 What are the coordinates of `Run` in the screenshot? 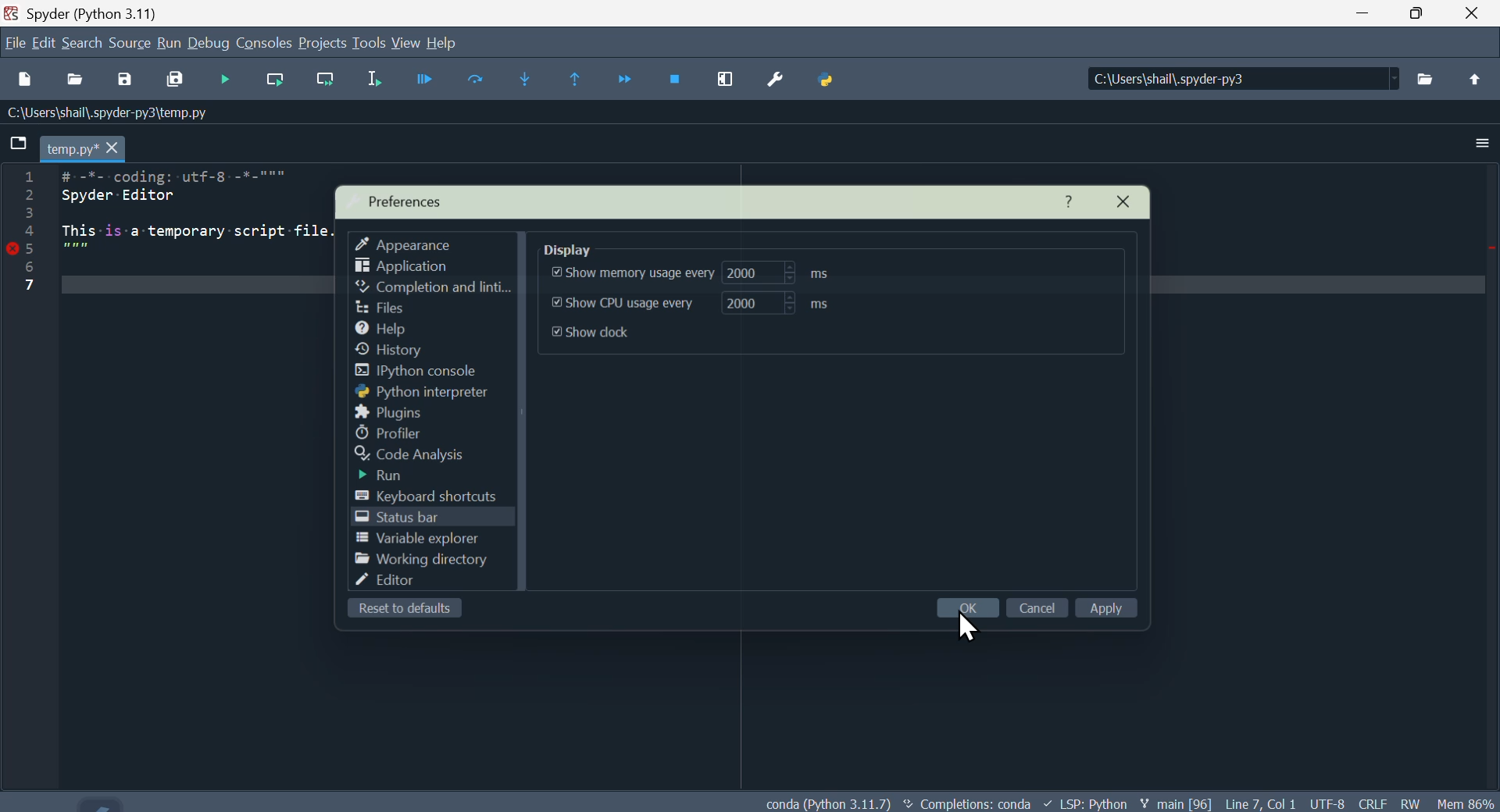 It's located at (397, 477).